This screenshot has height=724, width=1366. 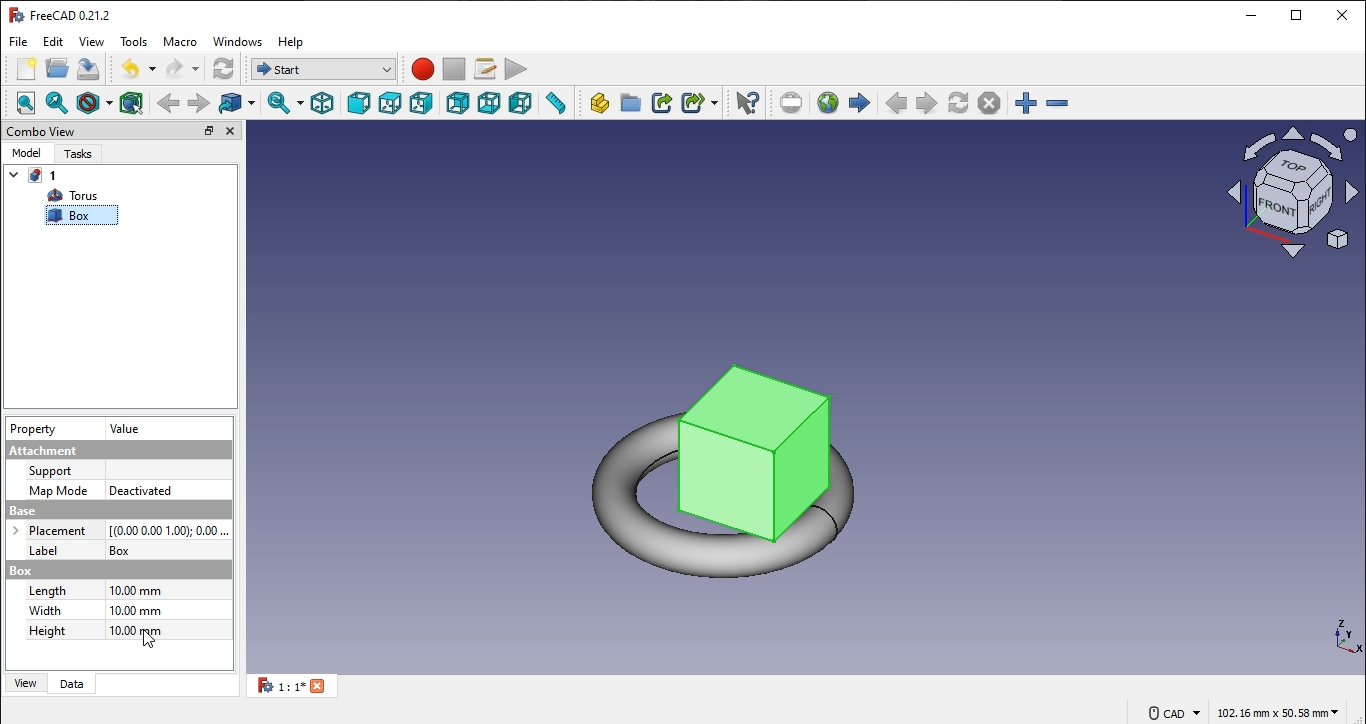 What do you see at coordinates (72, 685) in the screenshot?
I see `data` at bounding box center [72, 685].